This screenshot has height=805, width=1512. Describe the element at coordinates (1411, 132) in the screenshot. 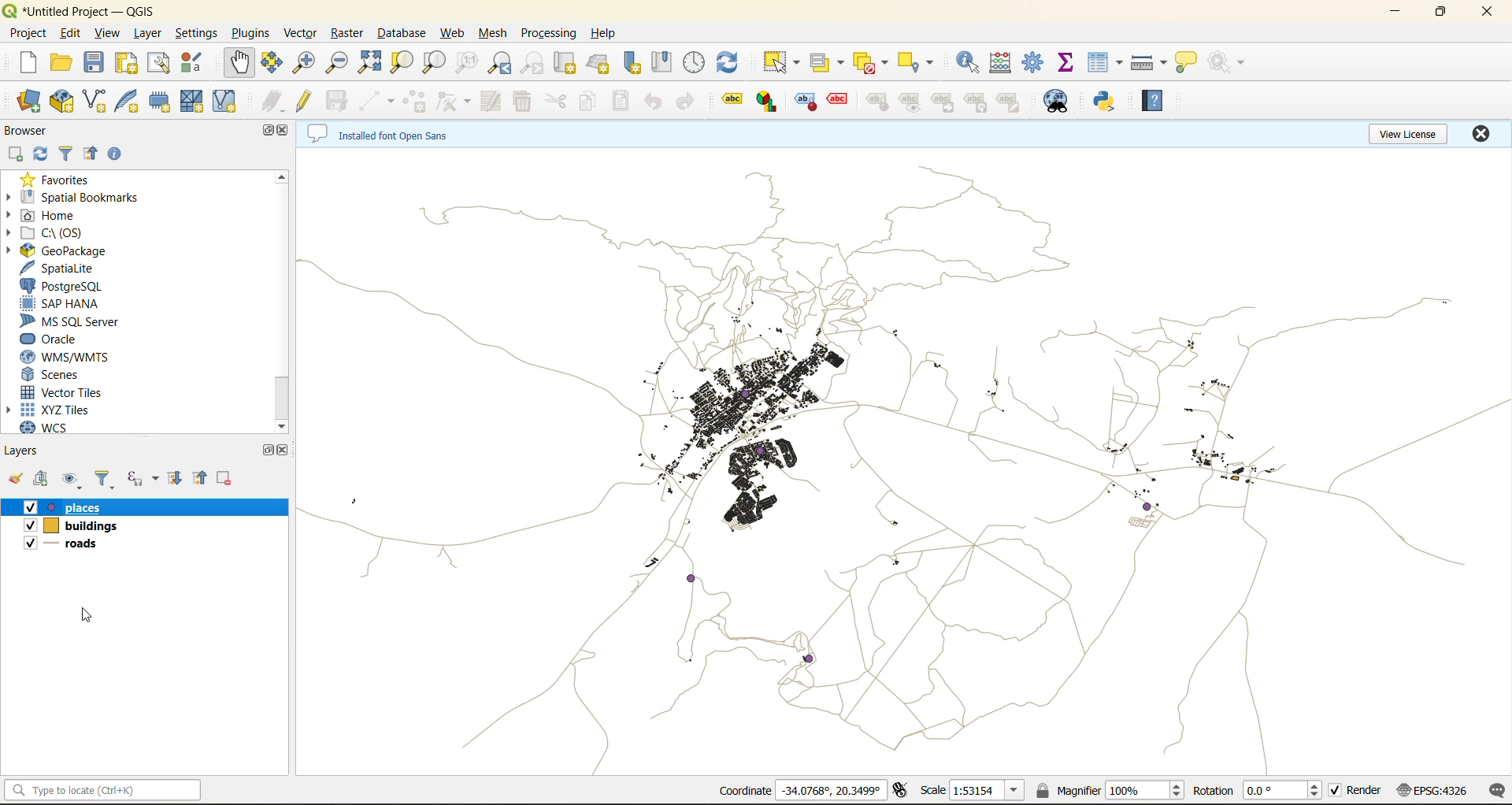

I see `view license` at that location.